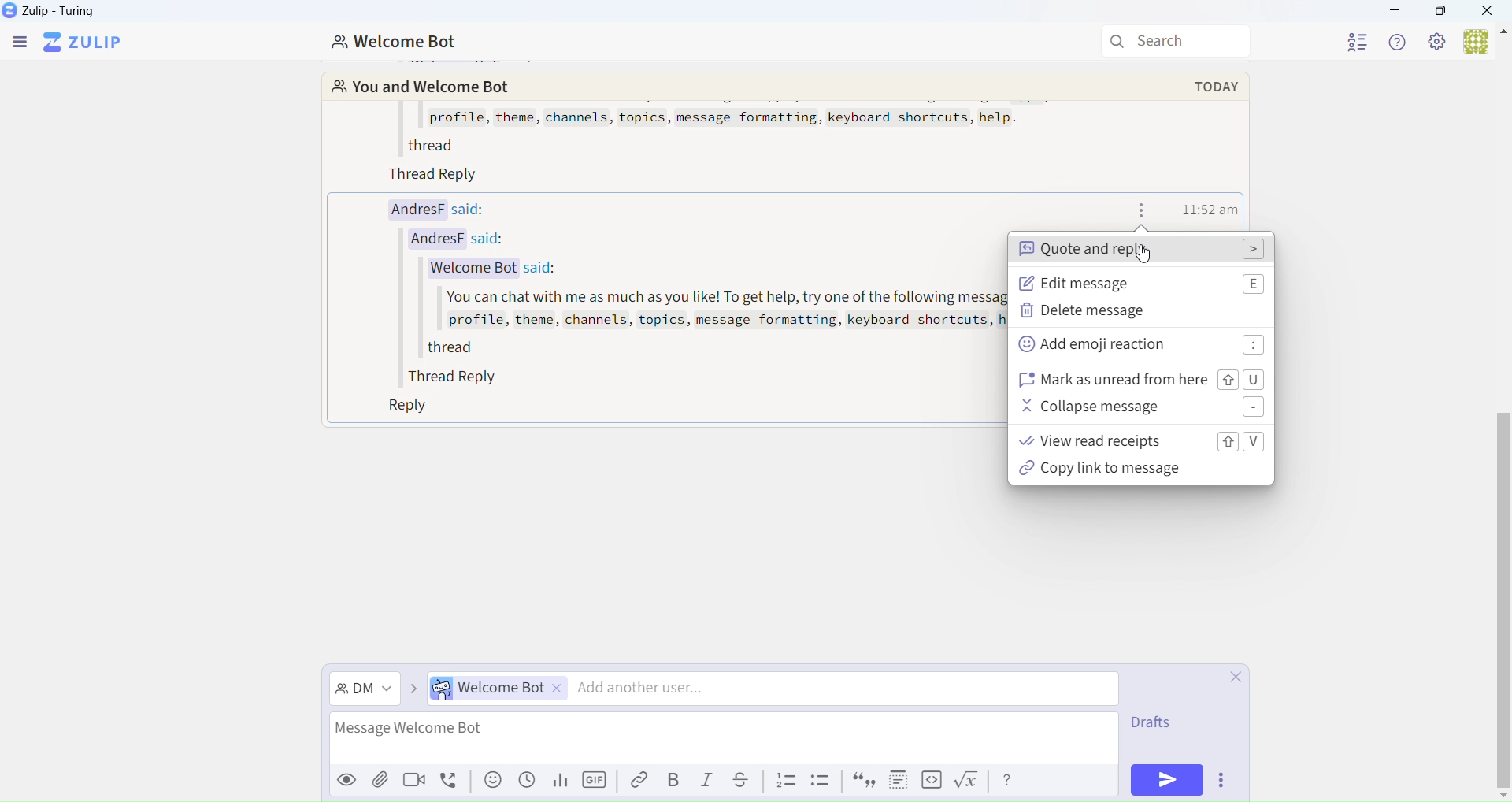  What do you see at coordinates (1143, 345) in the screenshot?
I see `add emoji reaction` at bounding box center [1143, 345].